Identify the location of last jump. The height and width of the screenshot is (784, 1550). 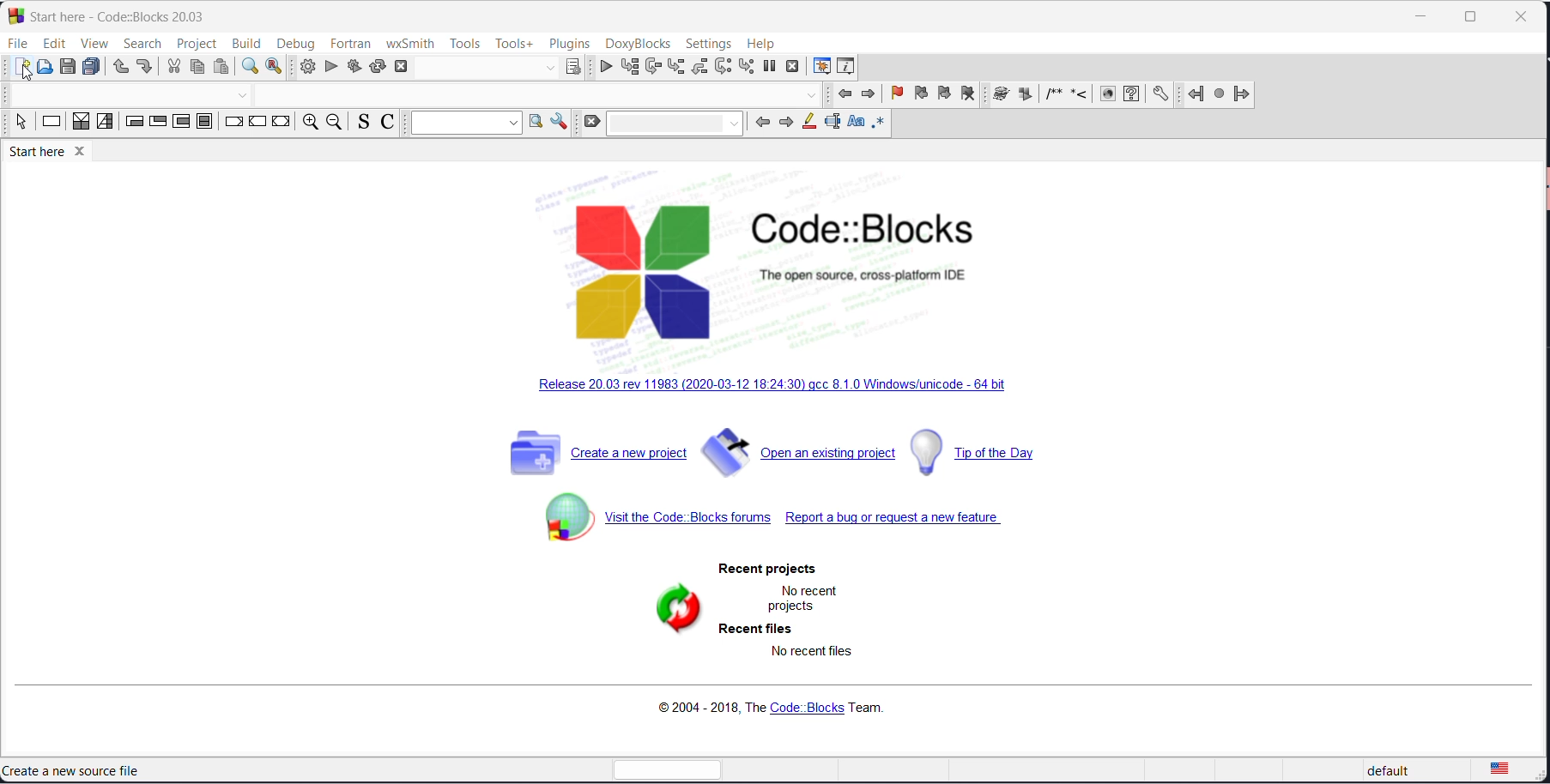
(1217, 97).